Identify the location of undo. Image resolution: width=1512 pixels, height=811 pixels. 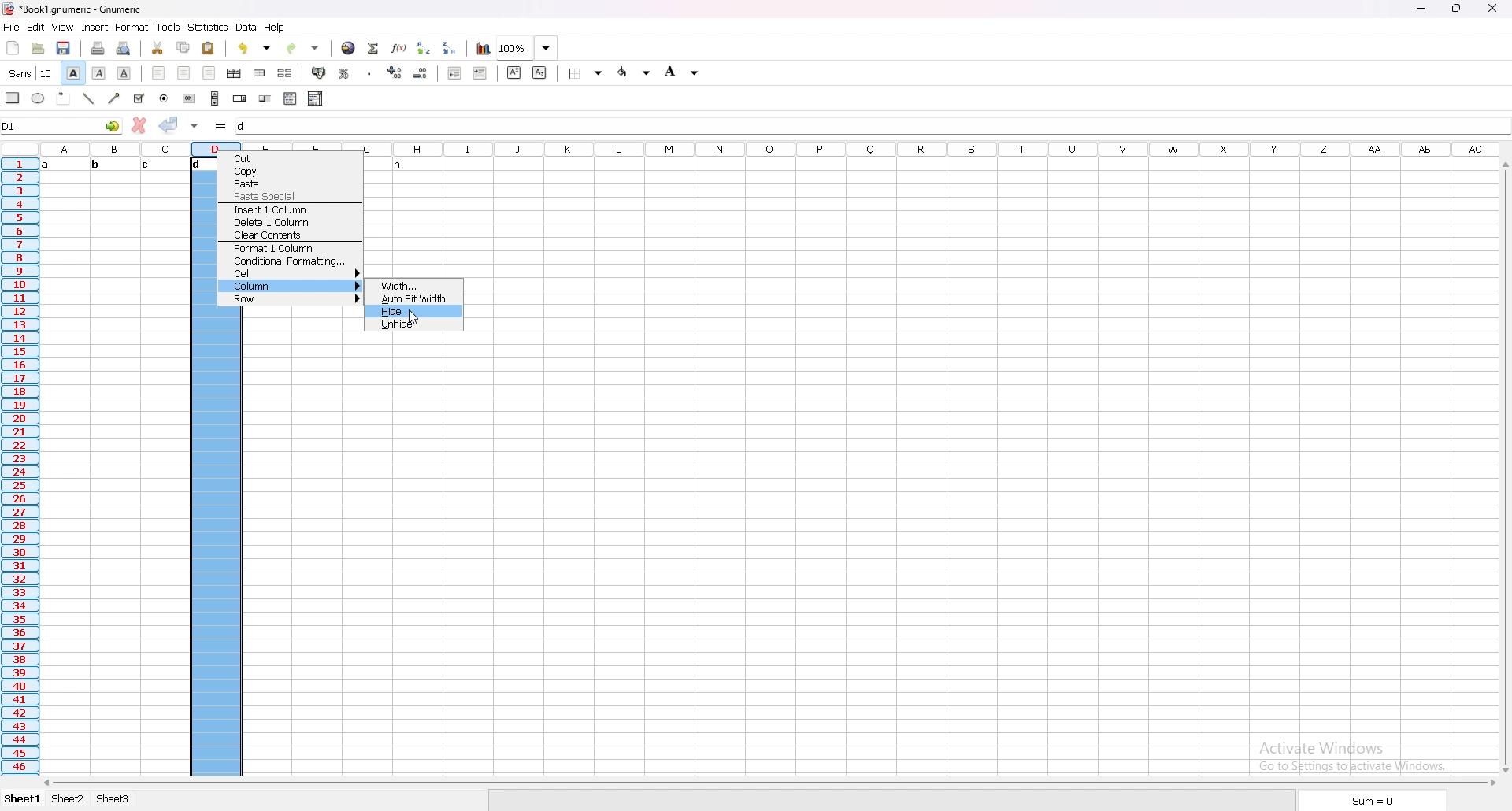
(255, 48).